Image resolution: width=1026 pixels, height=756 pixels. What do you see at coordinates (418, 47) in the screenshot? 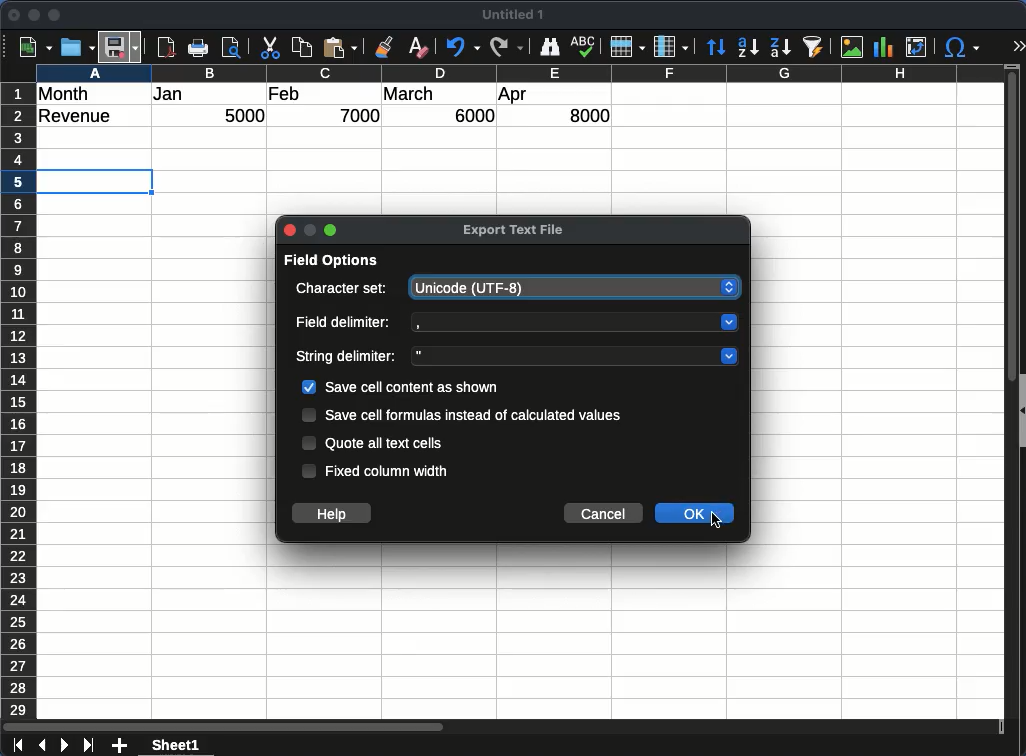
I see `clear formatting` at bounding box center [418, 47].